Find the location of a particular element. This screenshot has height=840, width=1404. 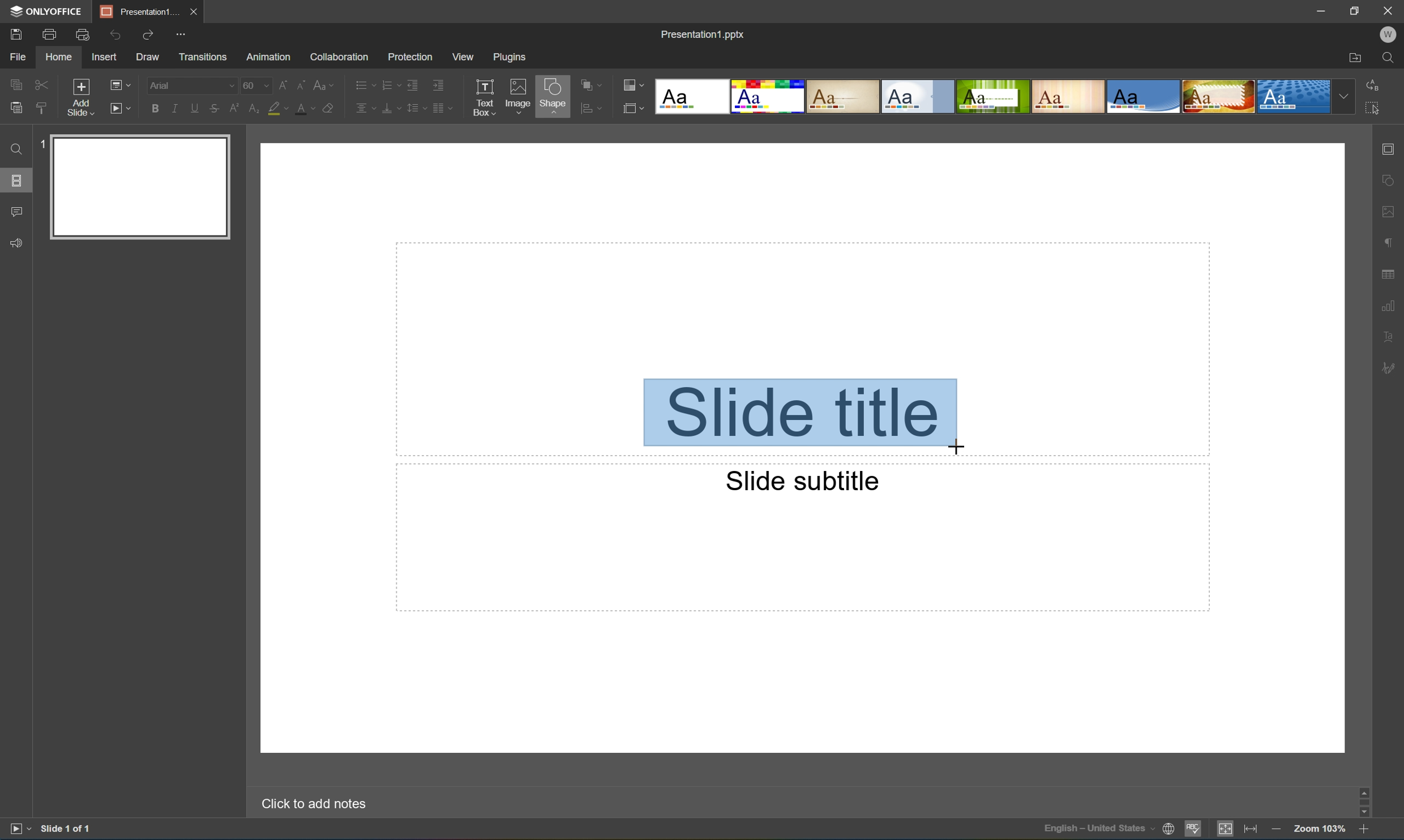

Decrease indent is located at coordinates (413, 83).